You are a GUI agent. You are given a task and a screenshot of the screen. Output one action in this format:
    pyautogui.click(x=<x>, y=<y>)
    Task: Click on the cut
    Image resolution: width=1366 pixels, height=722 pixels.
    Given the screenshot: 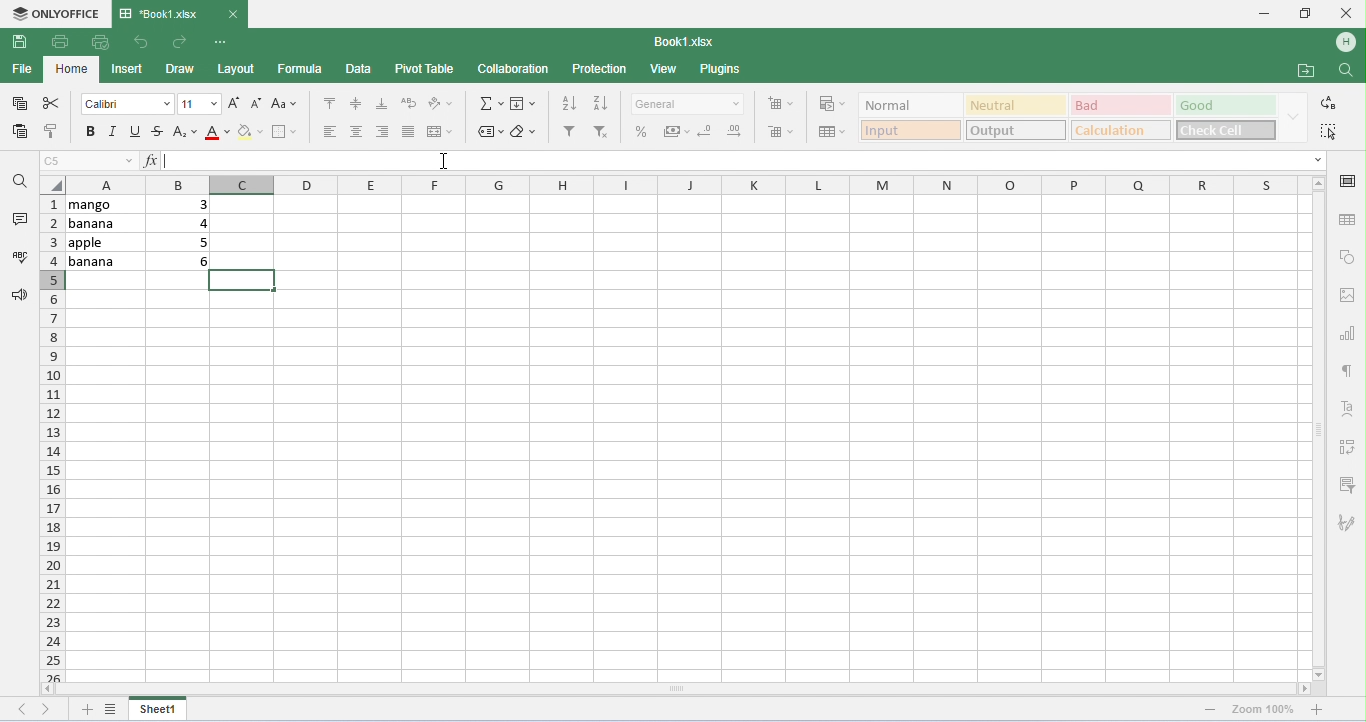 What is the action you would take?
    pyautogui.click(x=54, y=103)
    